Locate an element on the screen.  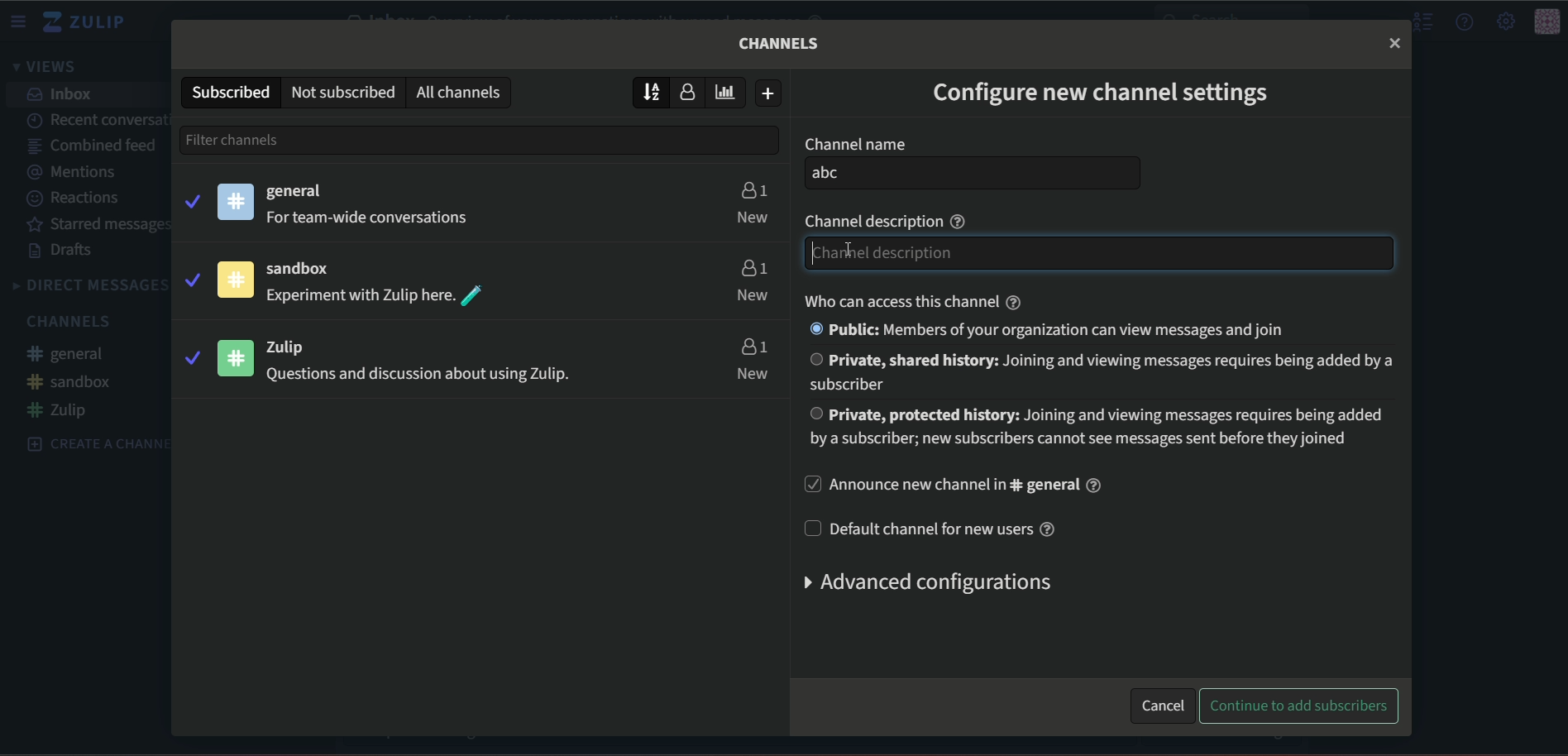
continue to add subscribers is located at coordinates (1302, 706).